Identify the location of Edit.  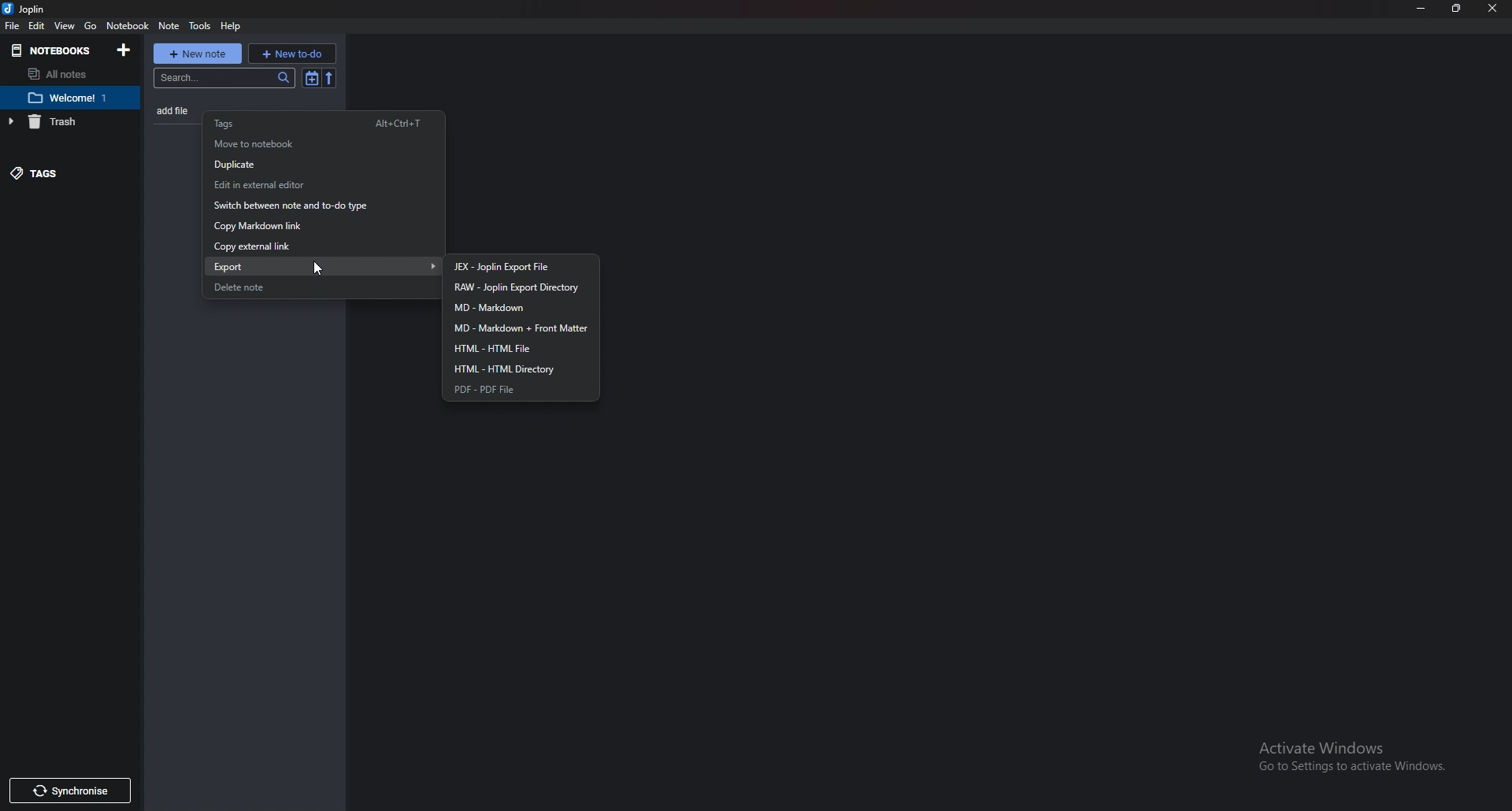
(38, 27).